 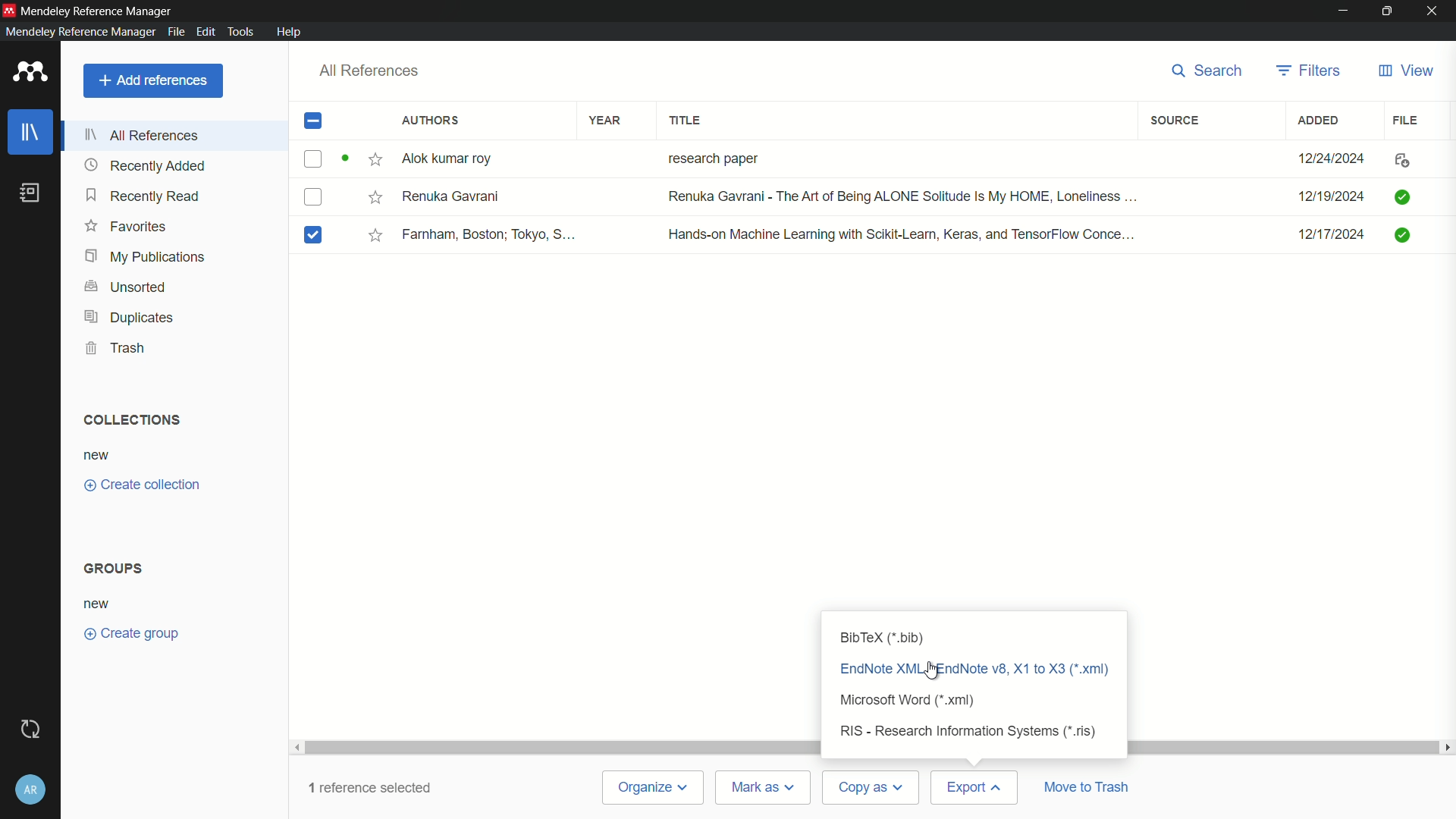 I want to click on collections, so click(x=130, y=420).